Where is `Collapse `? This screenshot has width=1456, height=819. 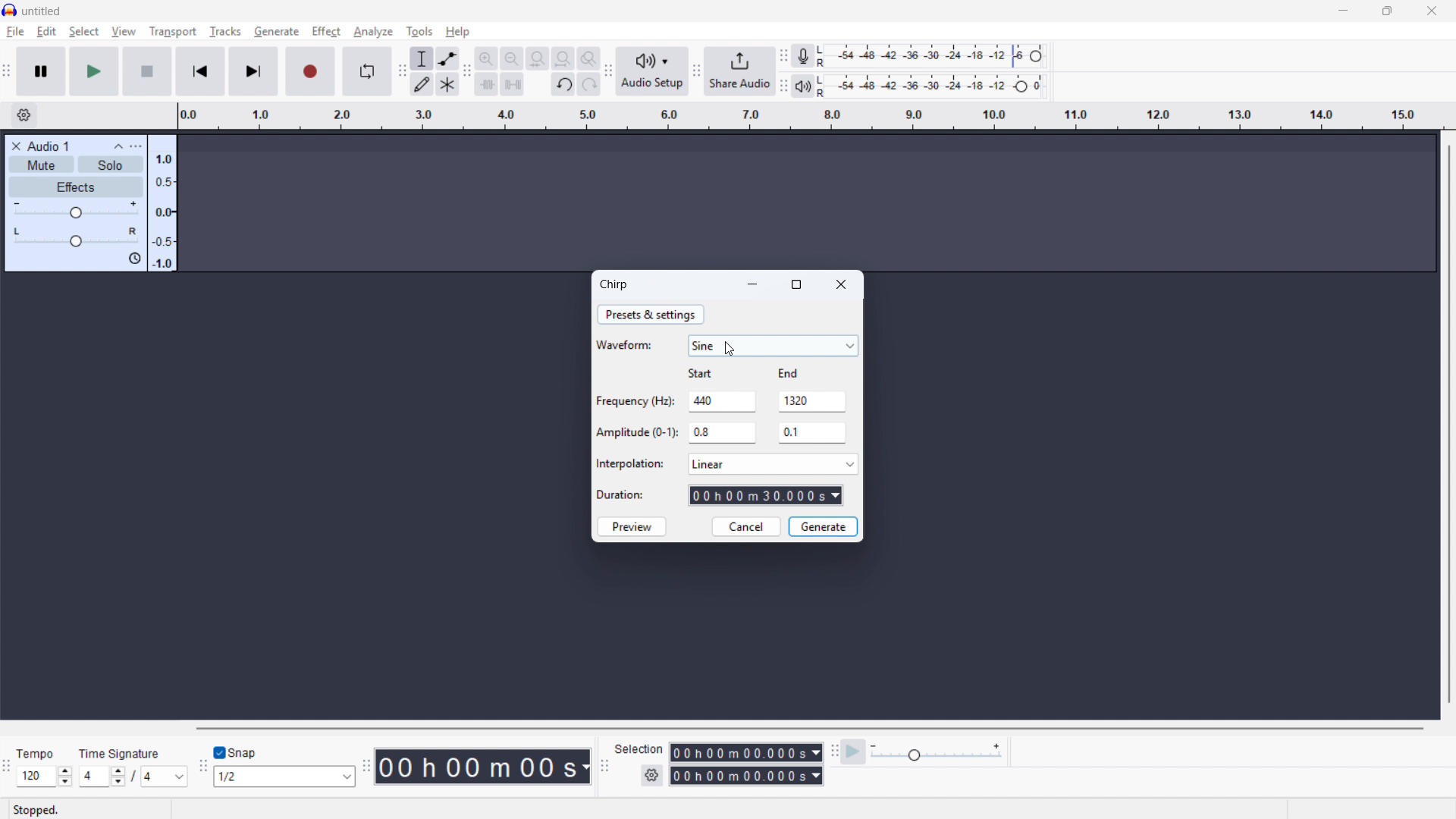
Collapse  is located at coordinates (118, 146).